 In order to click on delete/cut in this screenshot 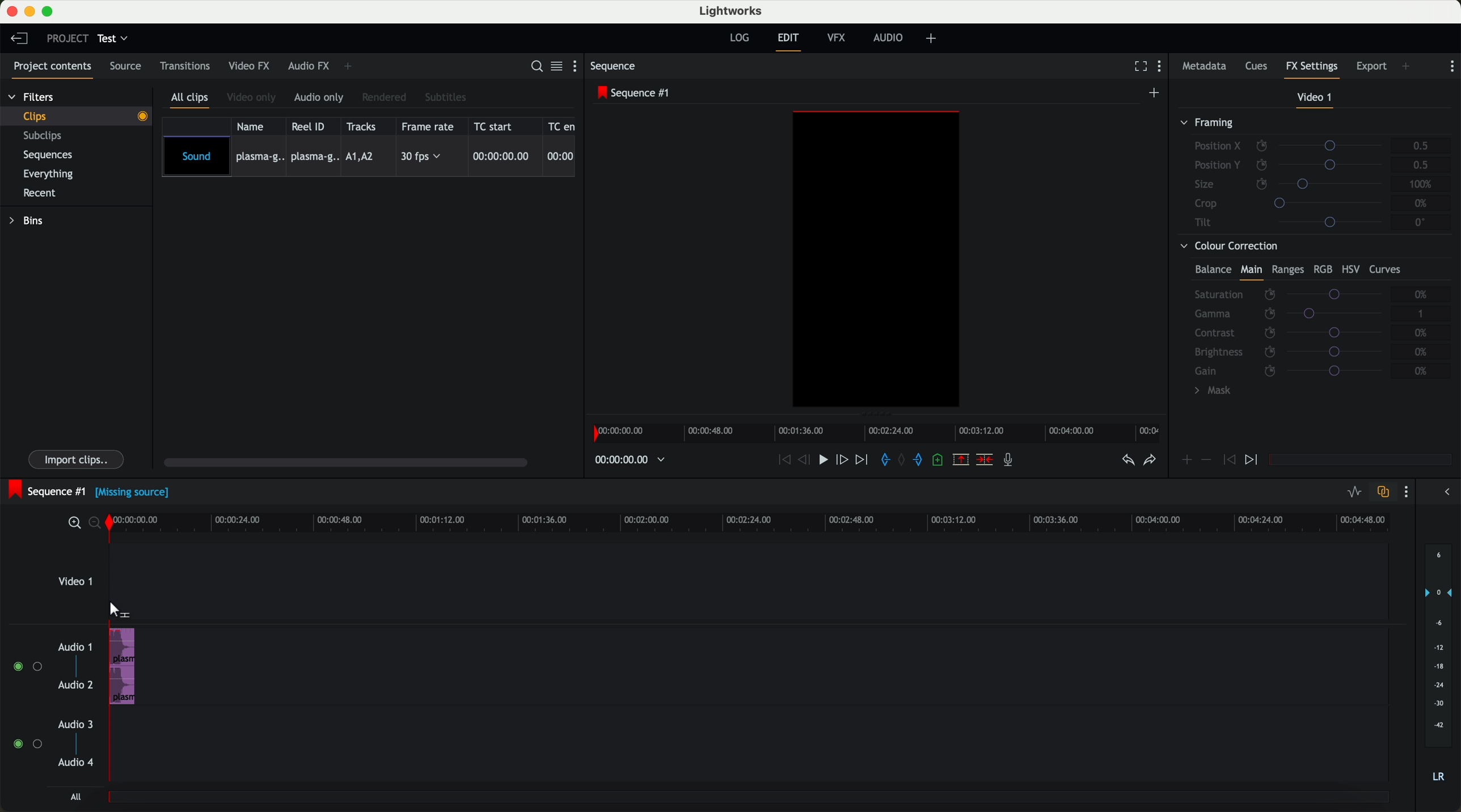, I will do `click(983, 460)`.